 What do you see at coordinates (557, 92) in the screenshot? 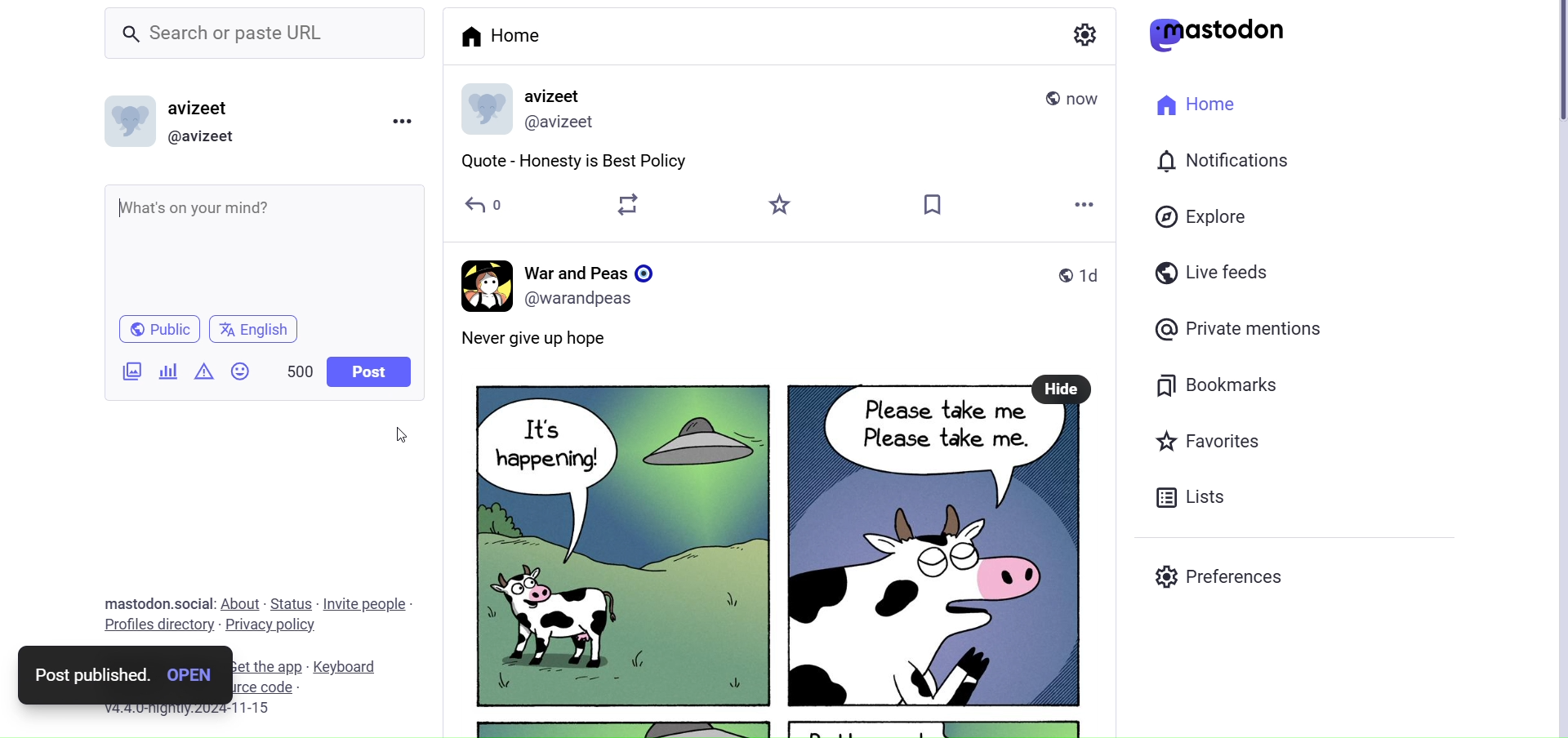
I see `avizeet` at bounding box center [557, 92].